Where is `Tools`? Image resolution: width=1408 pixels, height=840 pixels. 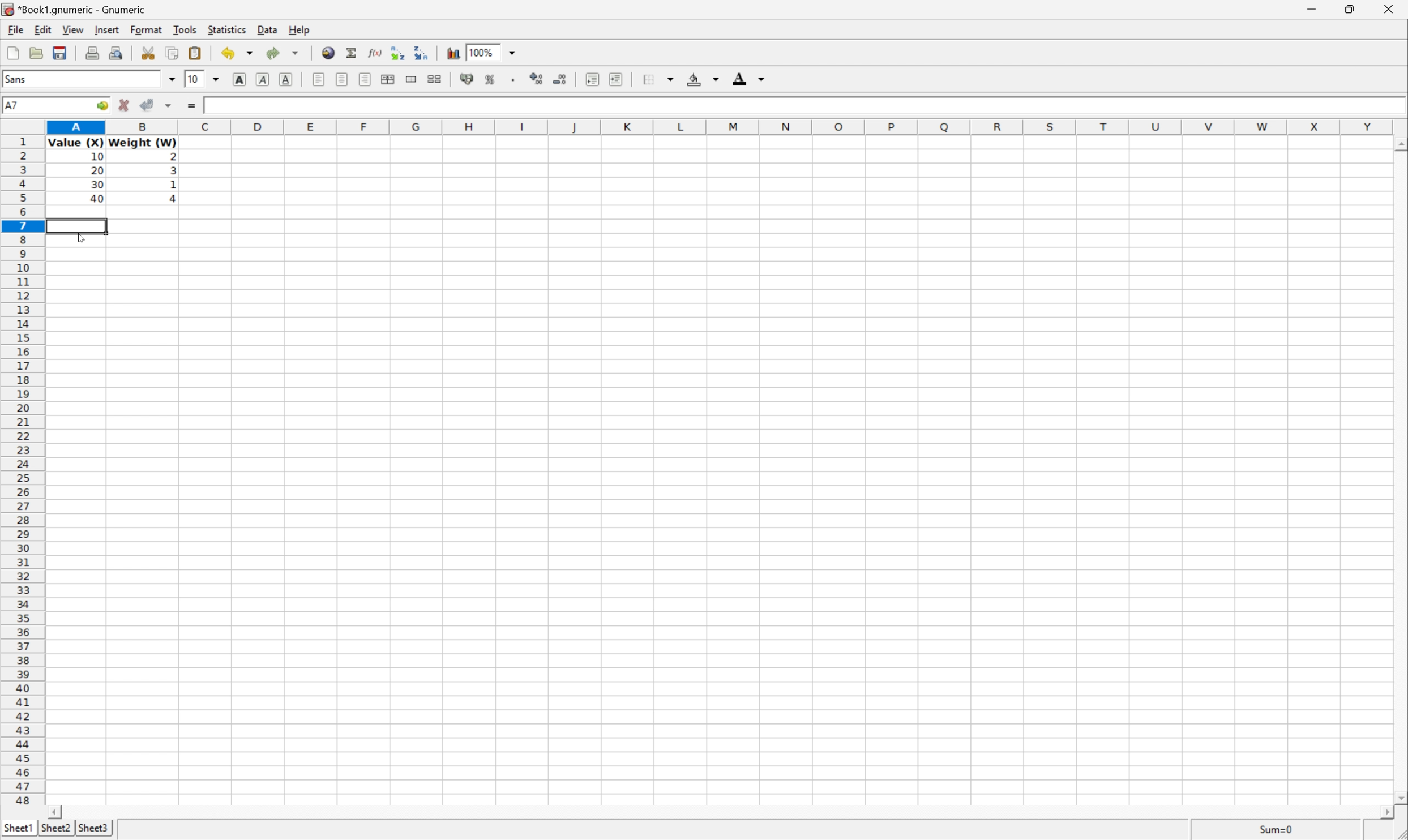
Tools is located at coordinates (187, 29).